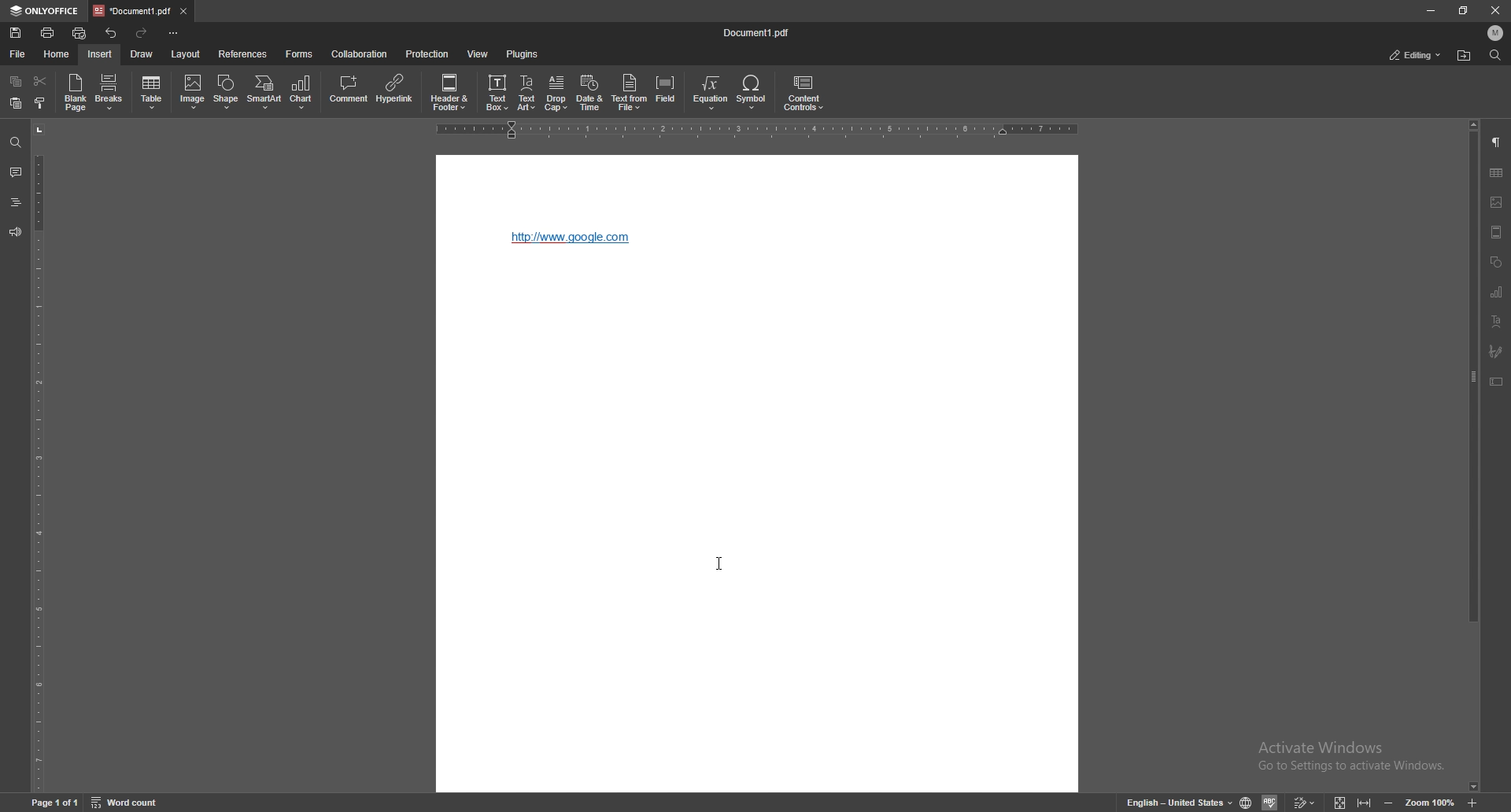 This screenshot has width=1511, height=812. Describe the element at coordinates (113, 34) in the screenshot. I see `undo` at that location.